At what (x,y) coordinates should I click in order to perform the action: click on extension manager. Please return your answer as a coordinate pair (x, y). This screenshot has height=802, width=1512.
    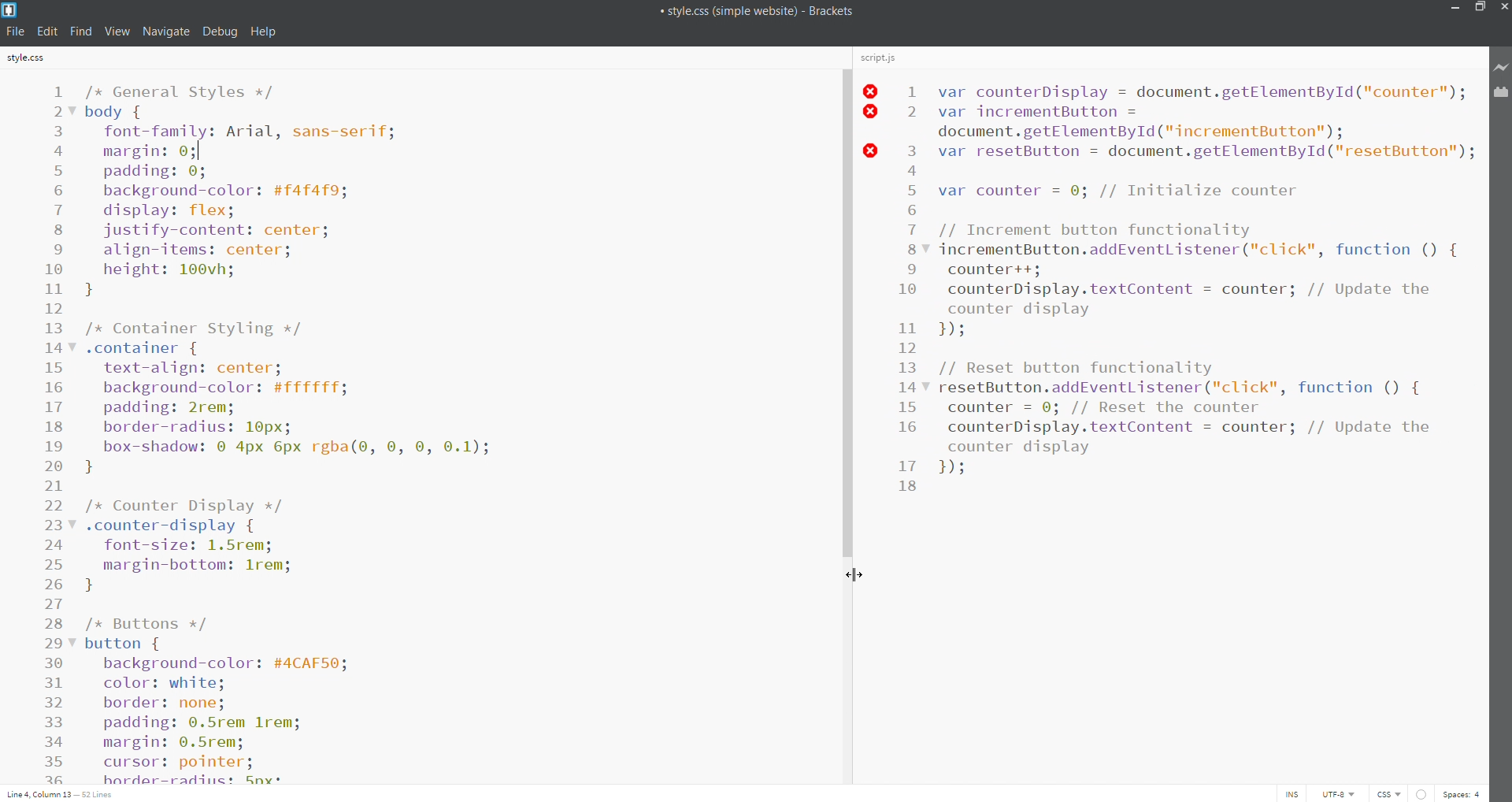
    Looking at the image, I should click on (1499, 94).